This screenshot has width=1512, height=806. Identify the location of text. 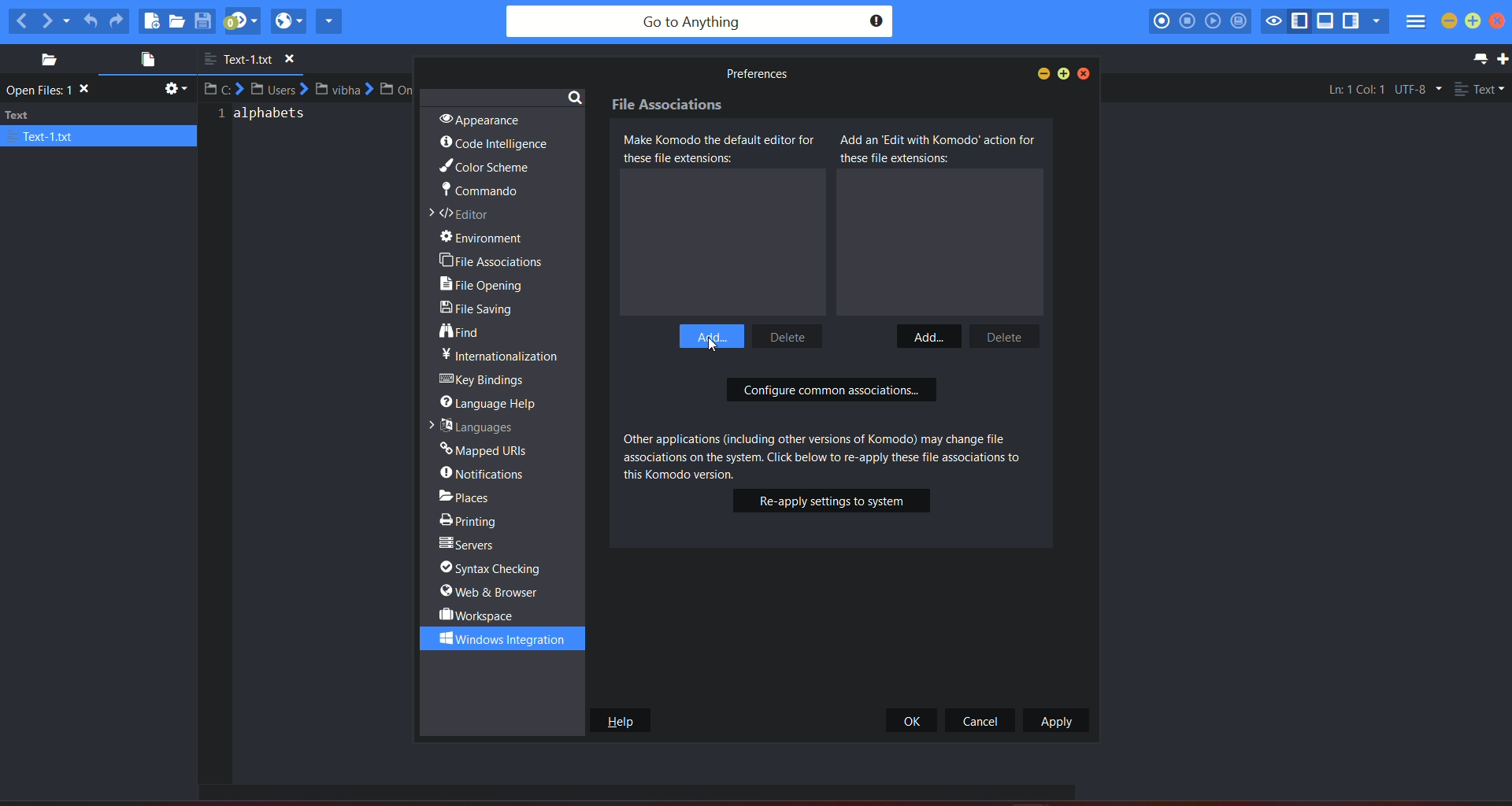
(52, 91).